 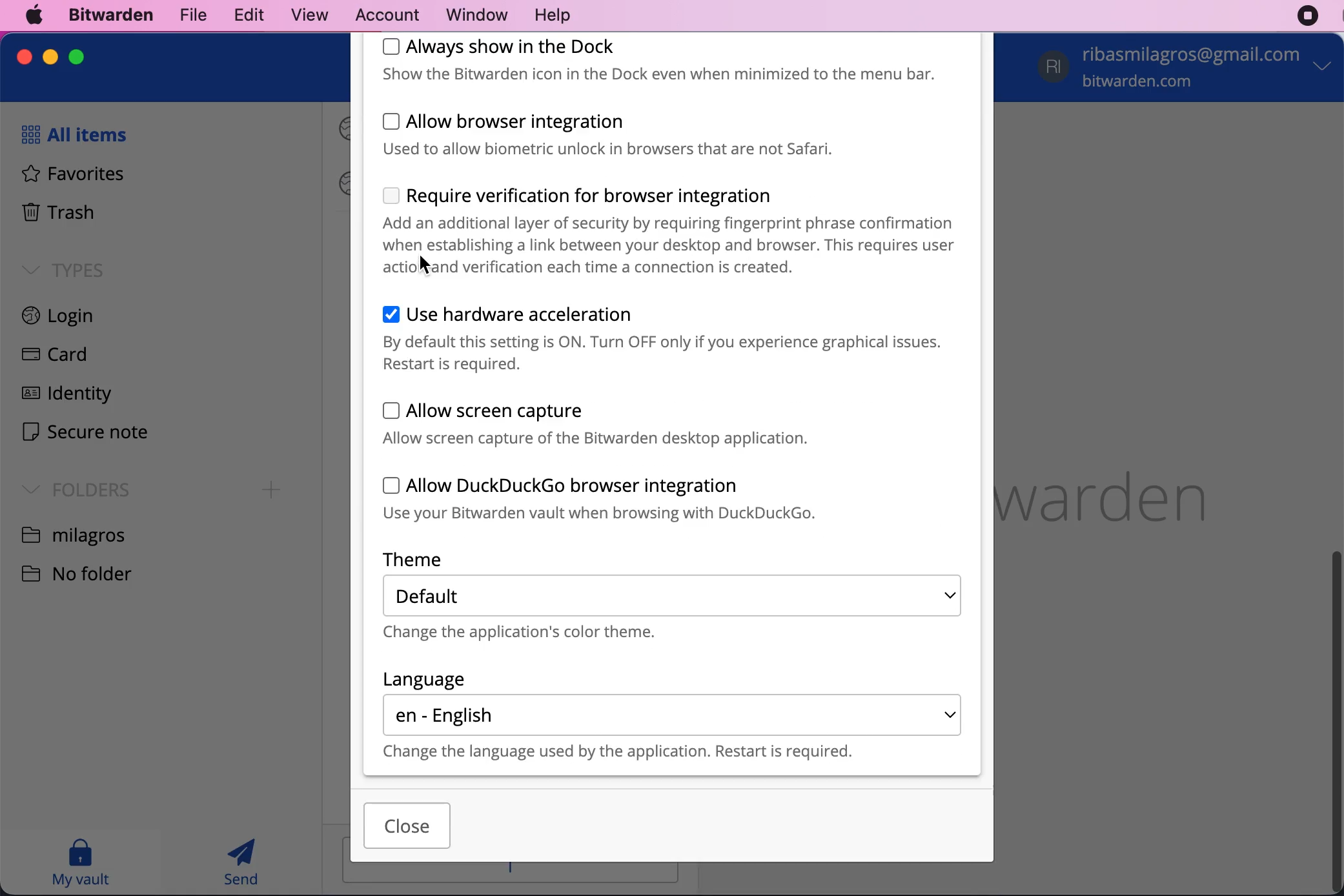 What do you see at coordinates (407, 826) in the screenshot?
I see `close` at bounding box center [407, 826].